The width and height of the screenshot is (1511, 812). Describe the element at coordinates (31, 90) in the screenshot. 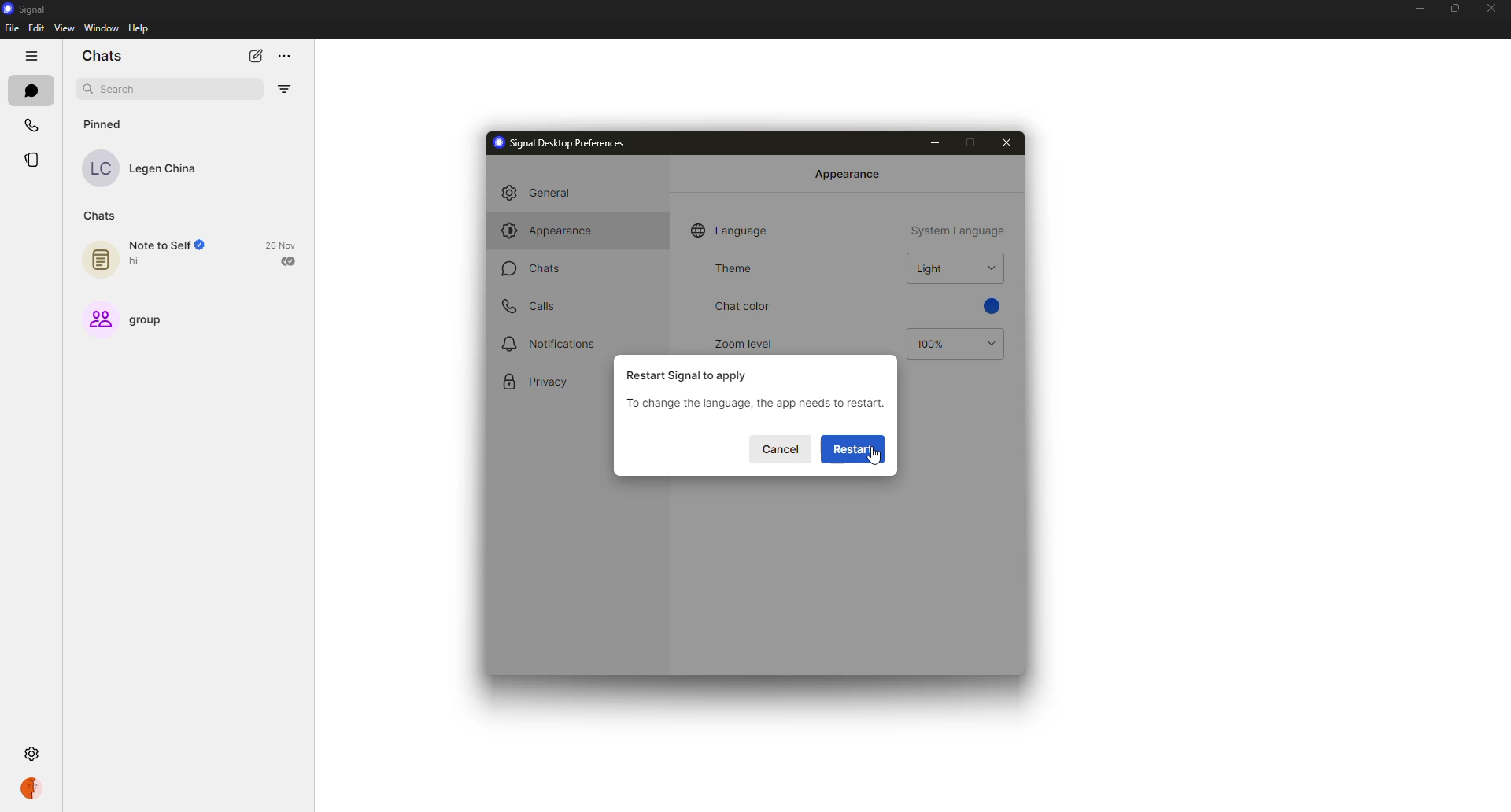

I see `chats` at that location.